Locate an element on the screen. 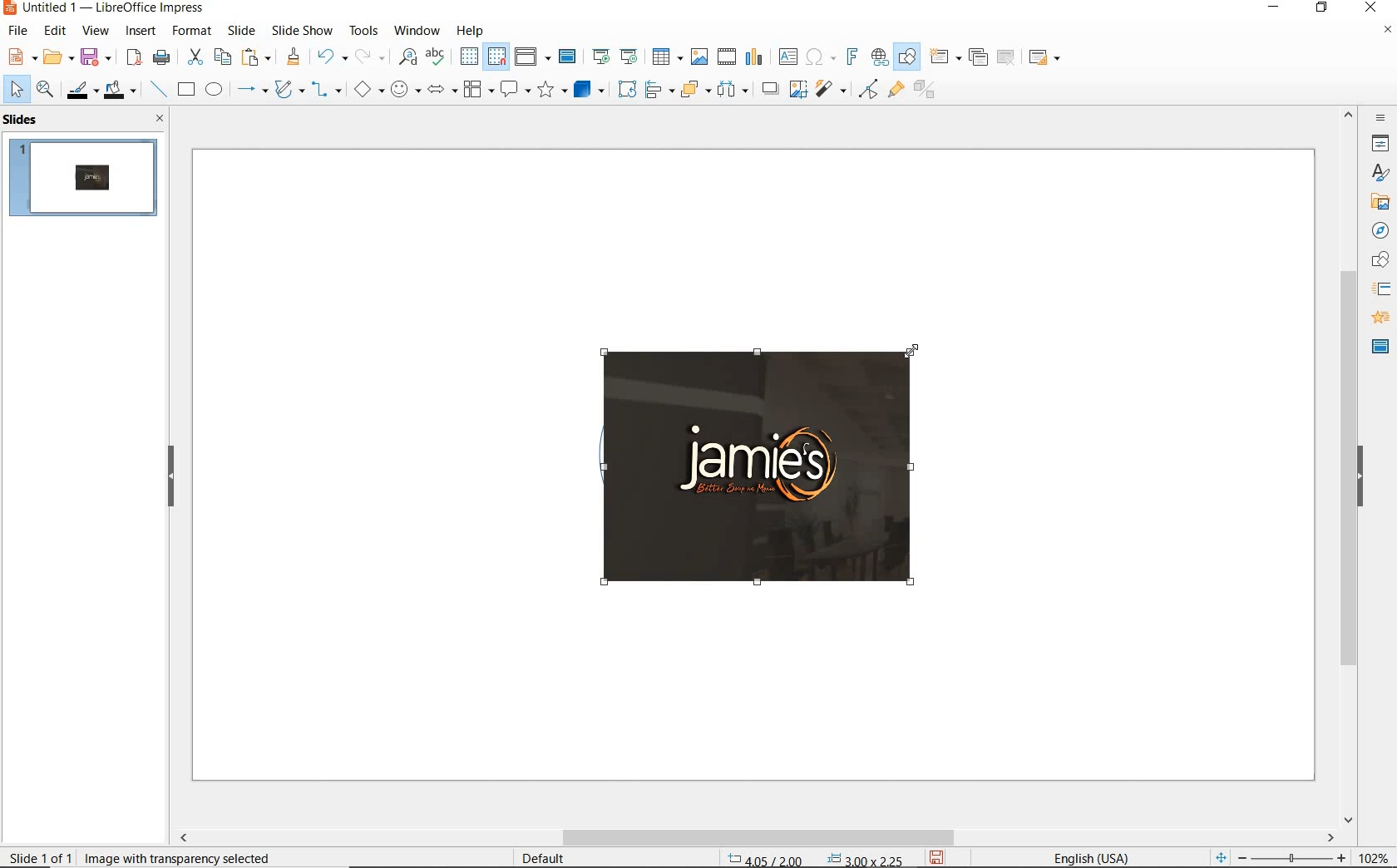  new is located at coordinates (20, 56).